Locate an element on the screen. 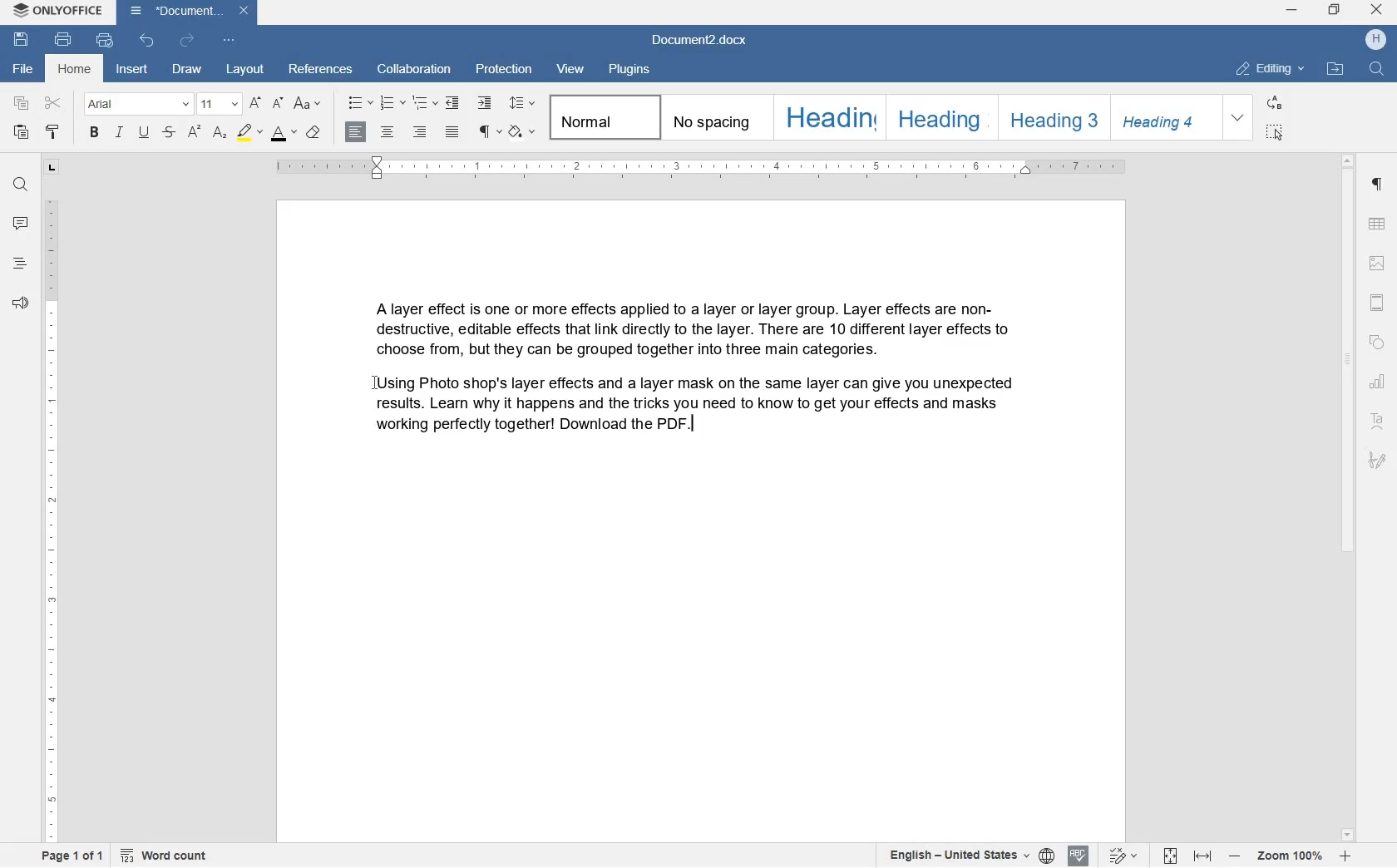  minimize is located at coordinates (1294, 11).